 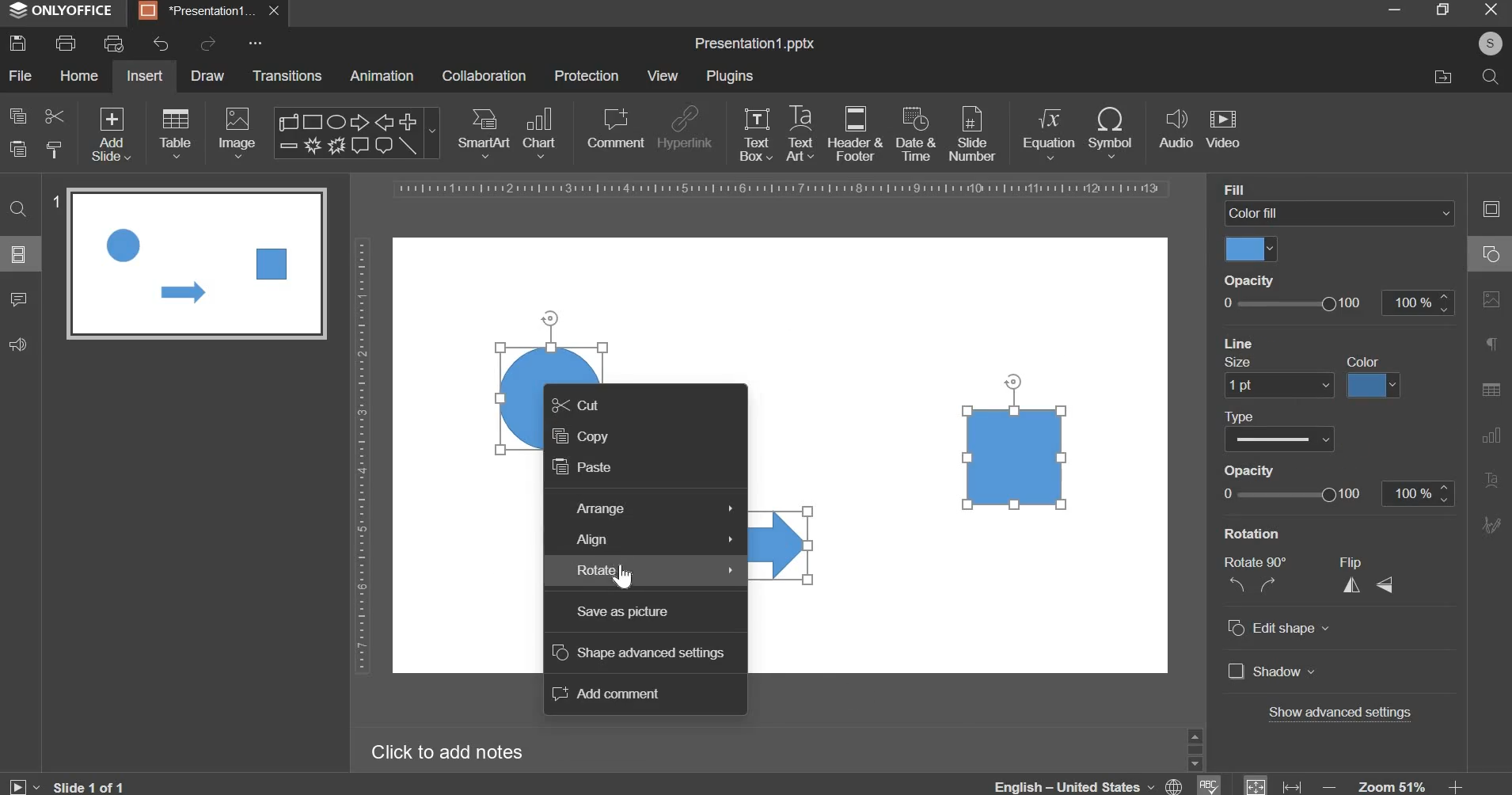 What do you see at coordinates (1244, 417) in the screenshot?
I see `type` at bounding box center [1244, 417].